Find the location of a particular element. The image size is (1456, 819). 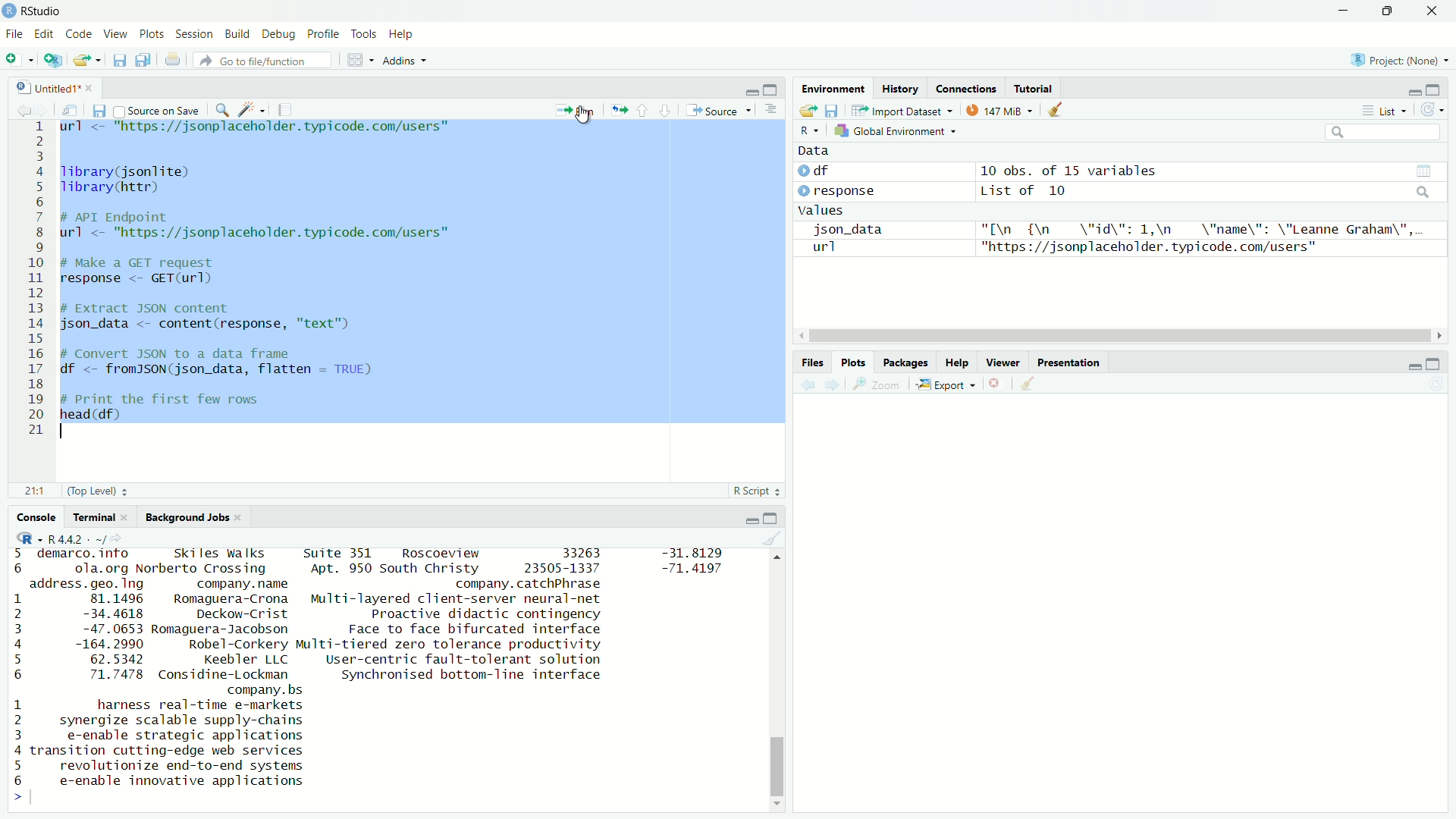

Help is located at coordinates (957, 363).